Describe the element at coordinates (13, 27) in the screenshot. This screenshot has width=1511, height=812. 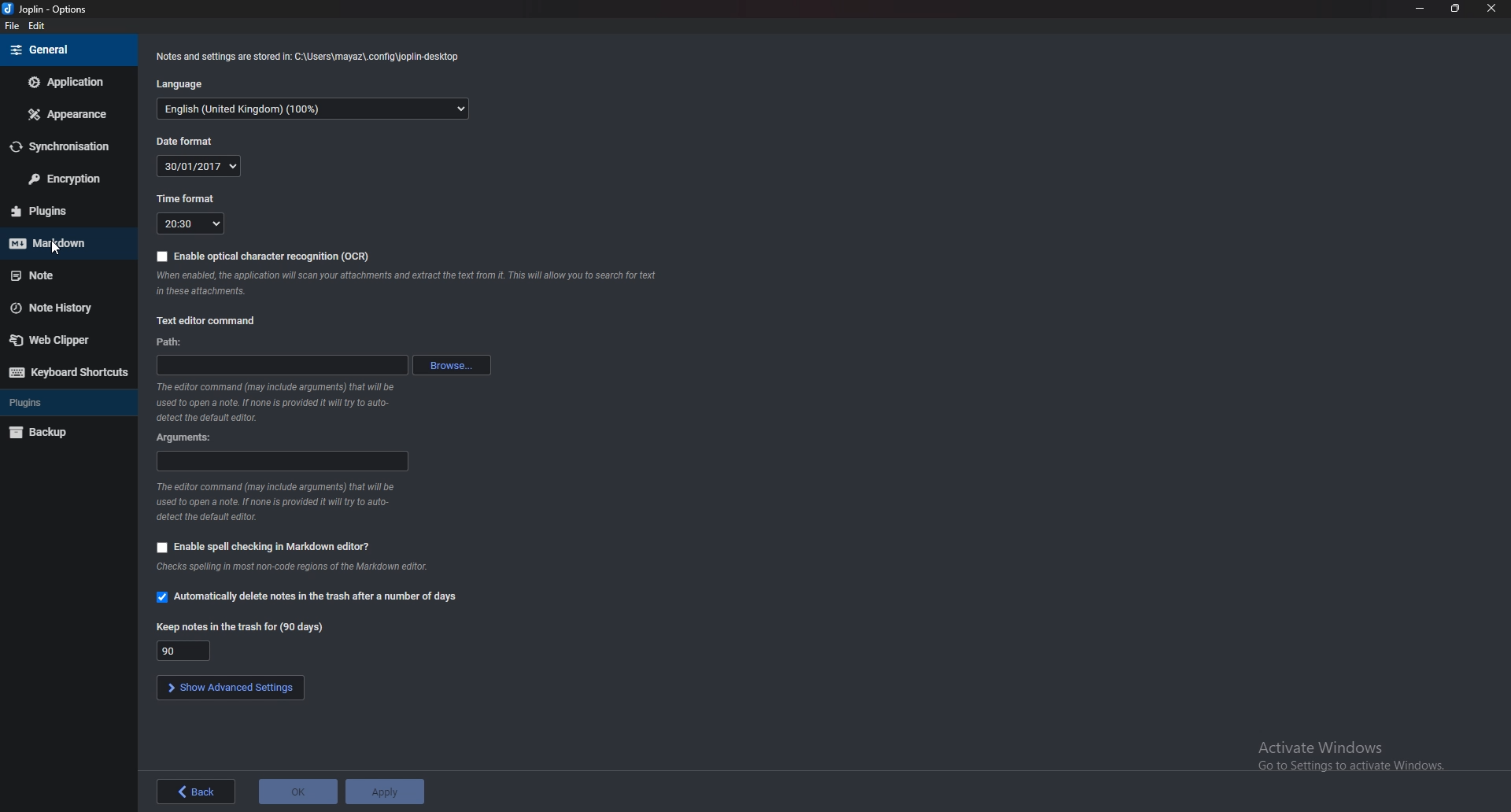
I see `file` at that location.